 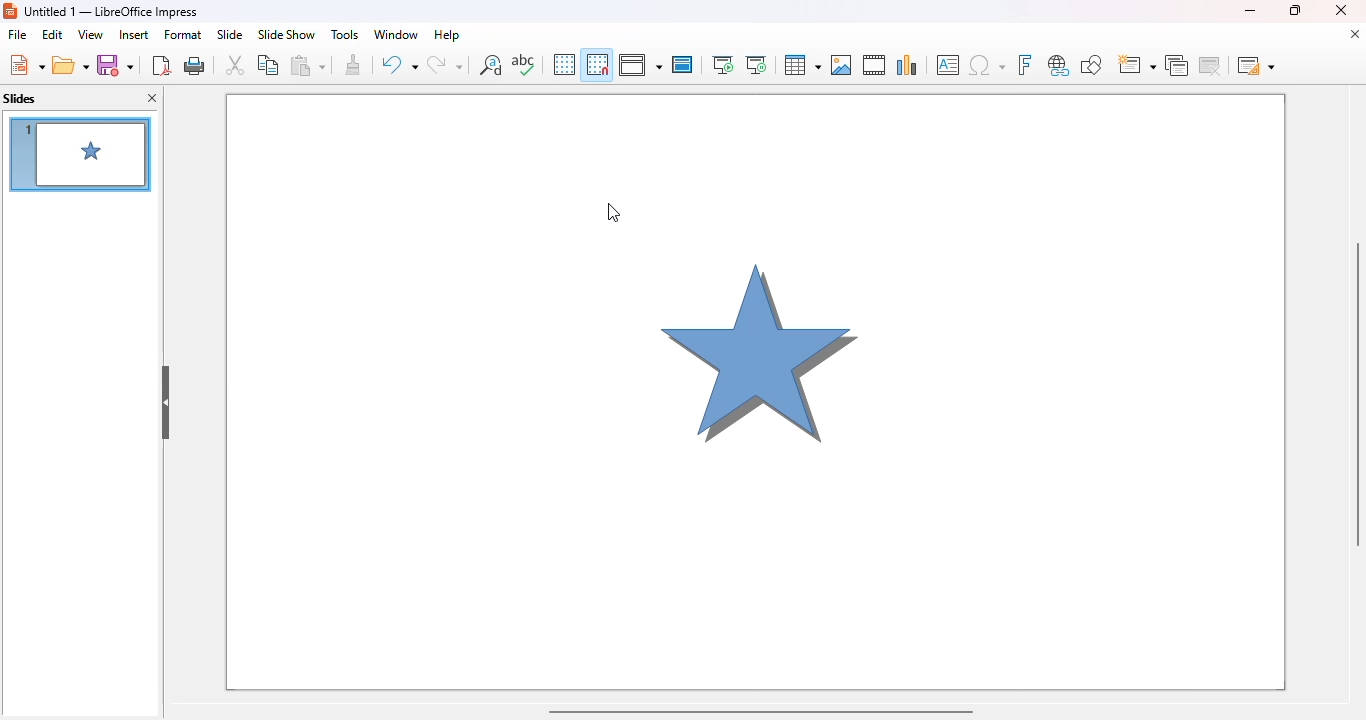 I want to click on spelling, so click(x=524, y=64).